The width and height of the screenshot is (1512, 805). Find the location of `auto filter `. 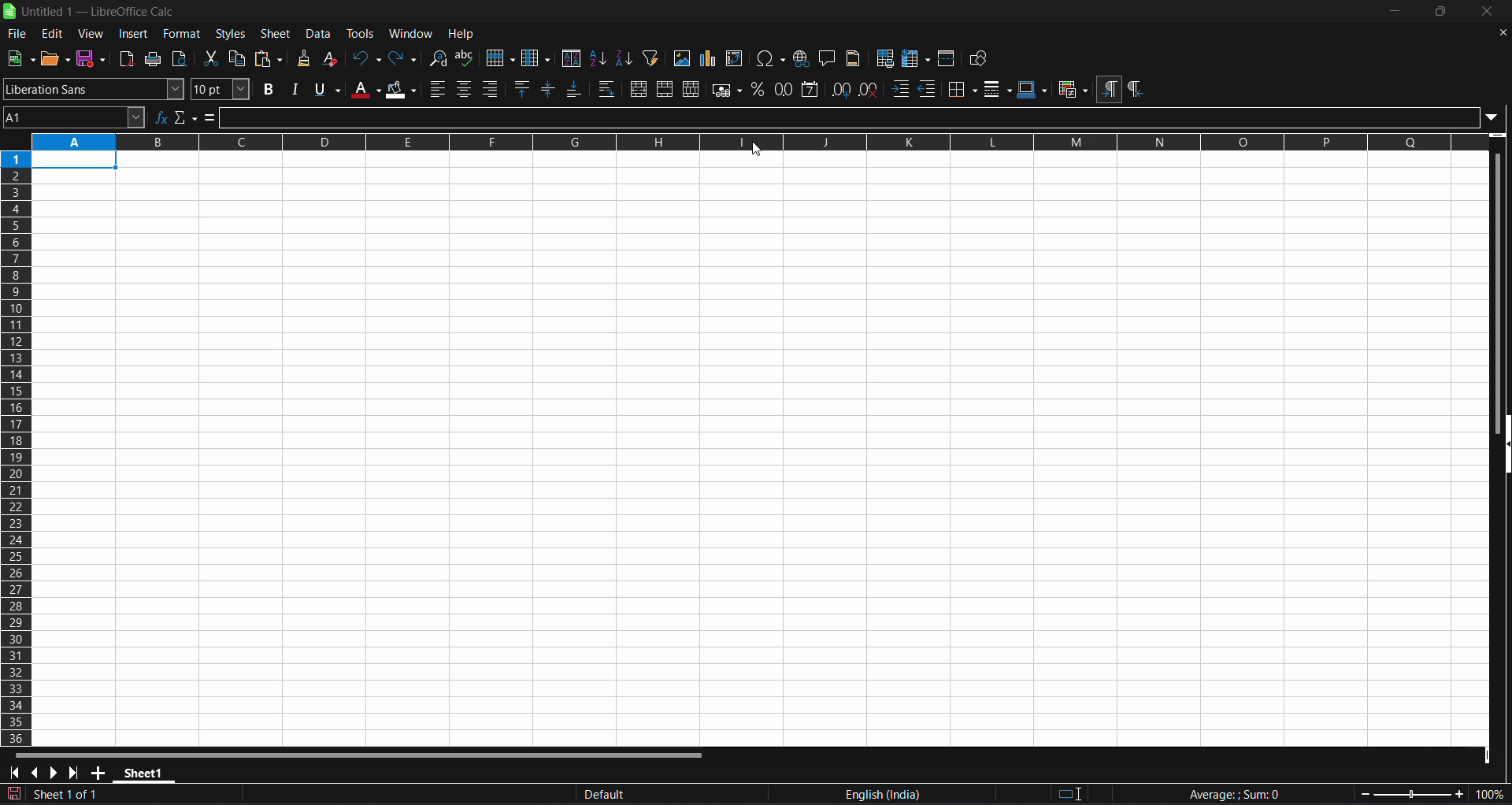

auto filter  is located at coordinates (650, 58).